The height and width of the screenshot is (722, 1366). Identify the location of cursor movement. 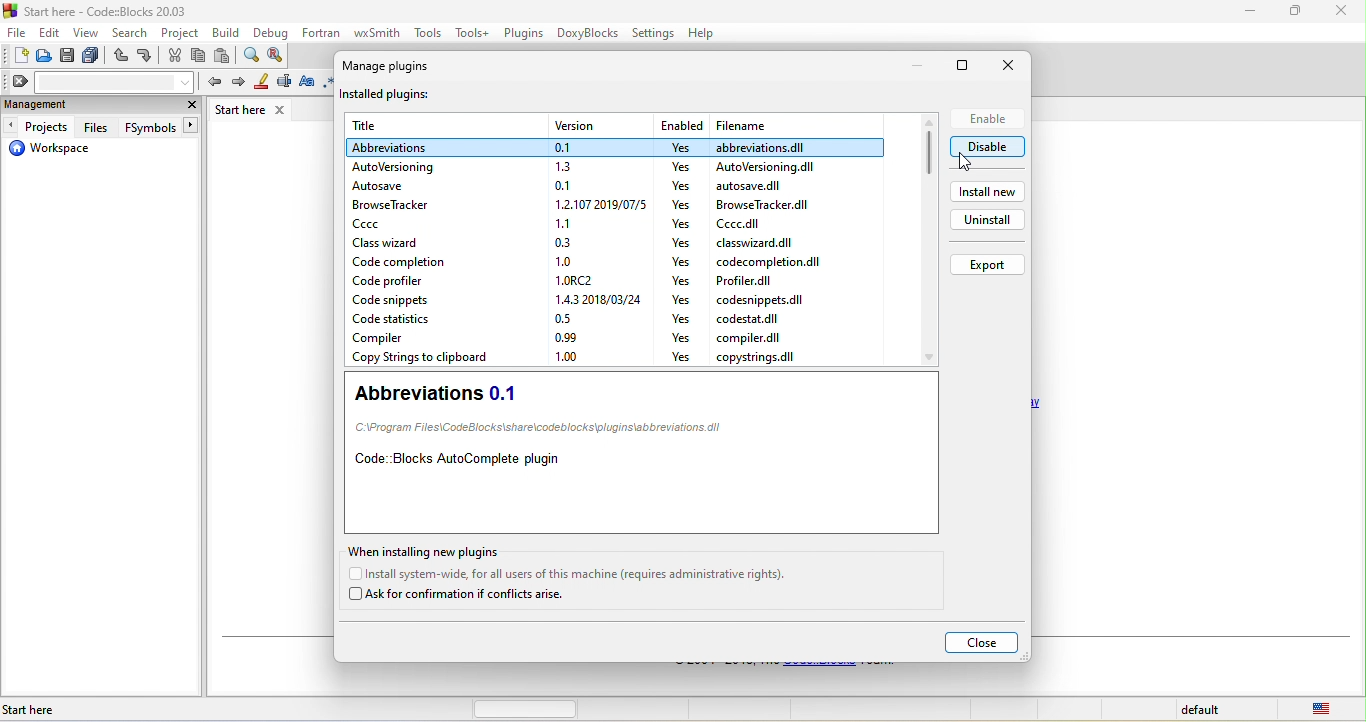
(968, 164).